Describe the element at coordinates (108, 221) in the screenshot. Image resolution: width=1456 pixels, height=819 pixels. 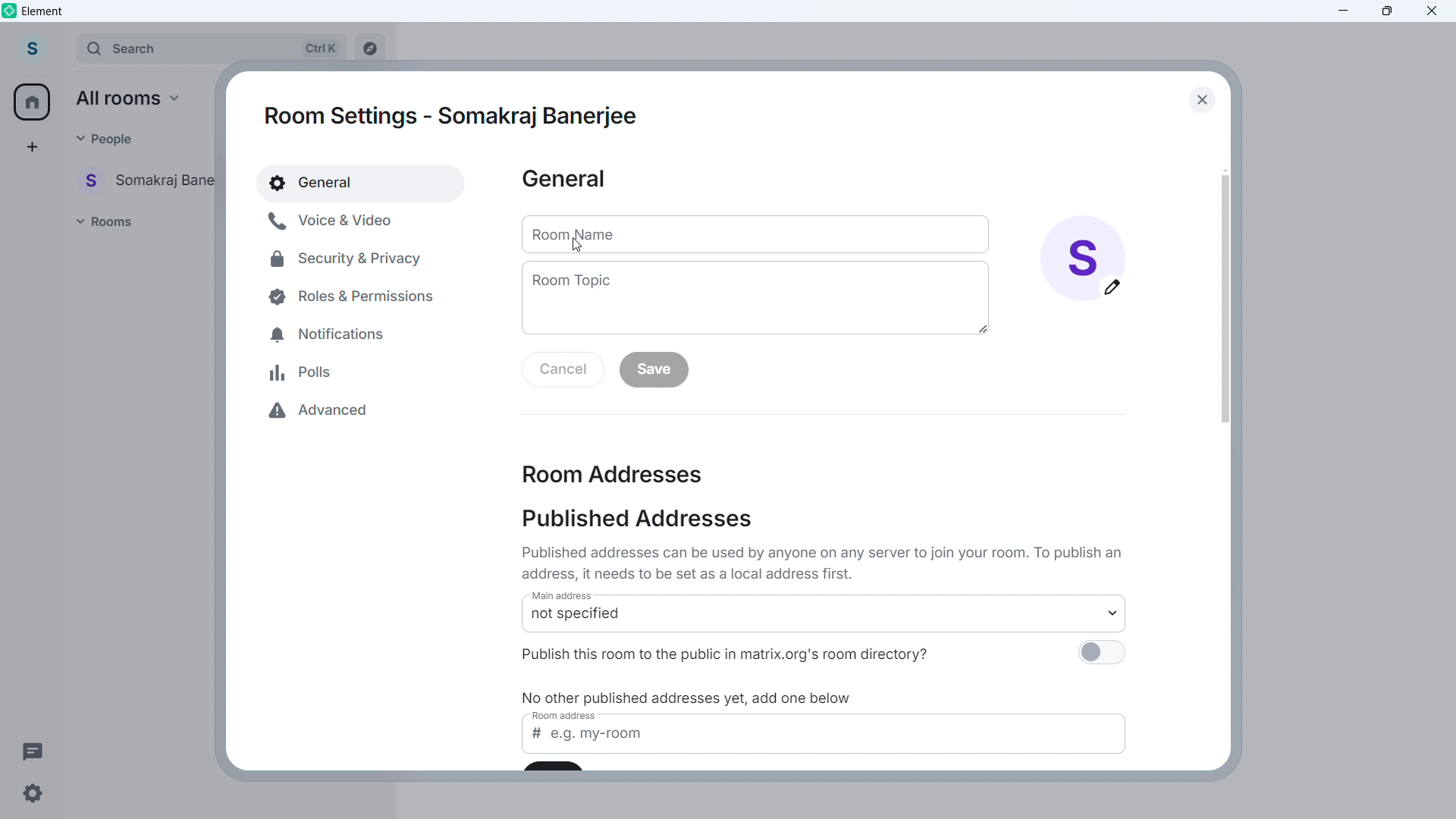
I see `Rooms ` at that location.